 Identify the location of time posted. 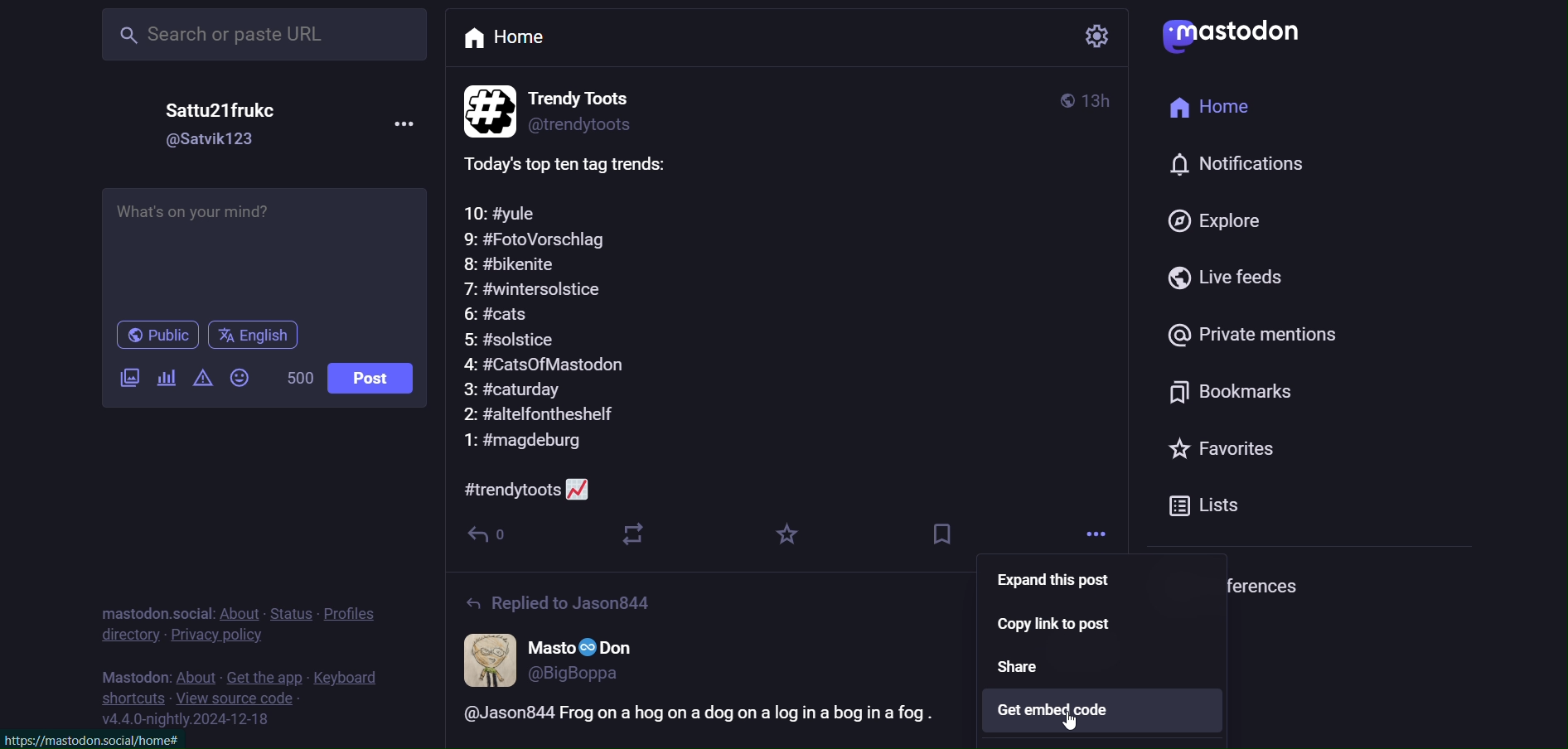
(1104, 102).